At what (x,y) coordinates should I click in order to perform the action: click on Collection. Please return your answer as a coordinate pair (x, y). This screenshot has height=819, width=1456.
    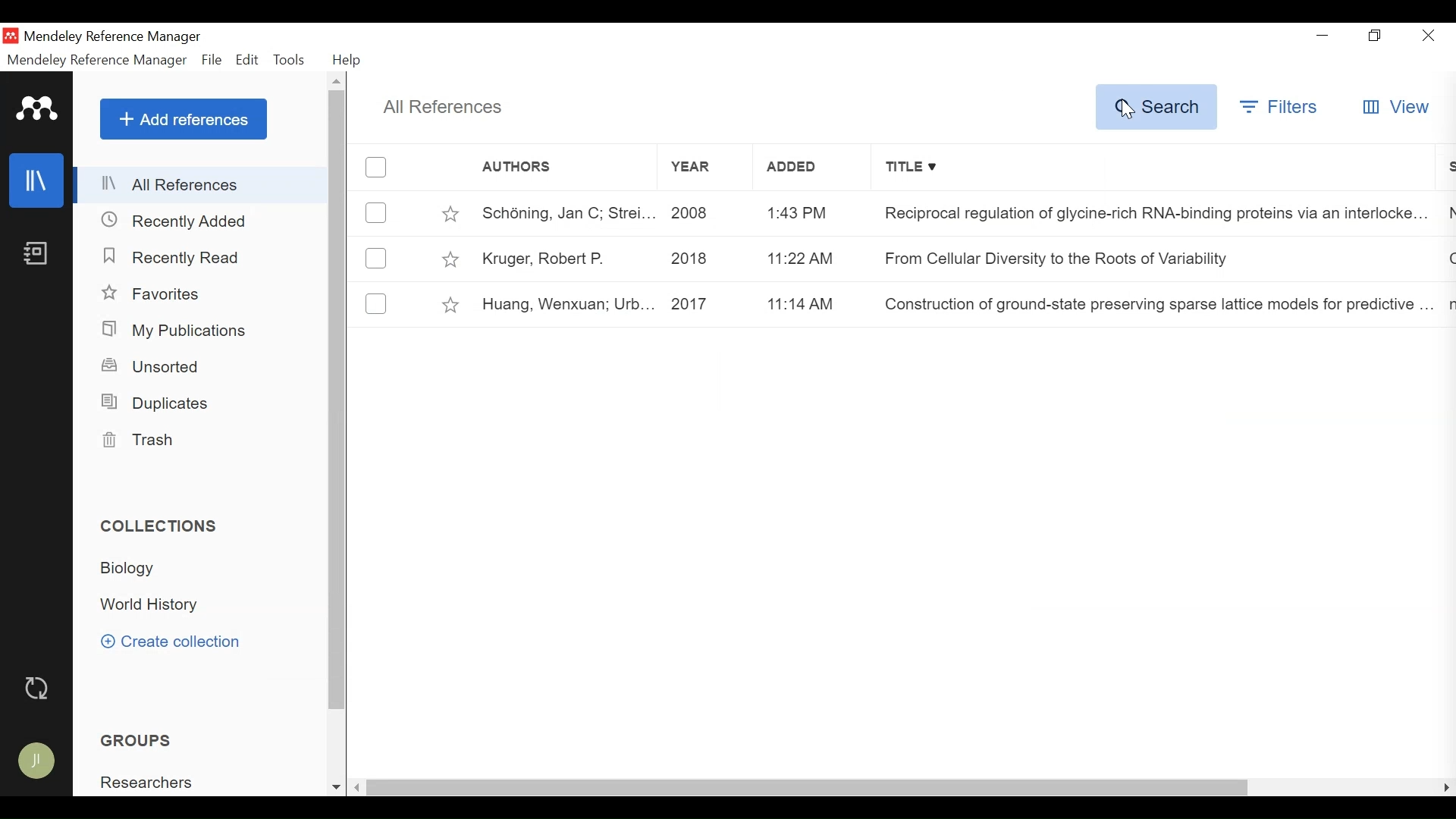
    Looking at the image, I should click on (129, 569).